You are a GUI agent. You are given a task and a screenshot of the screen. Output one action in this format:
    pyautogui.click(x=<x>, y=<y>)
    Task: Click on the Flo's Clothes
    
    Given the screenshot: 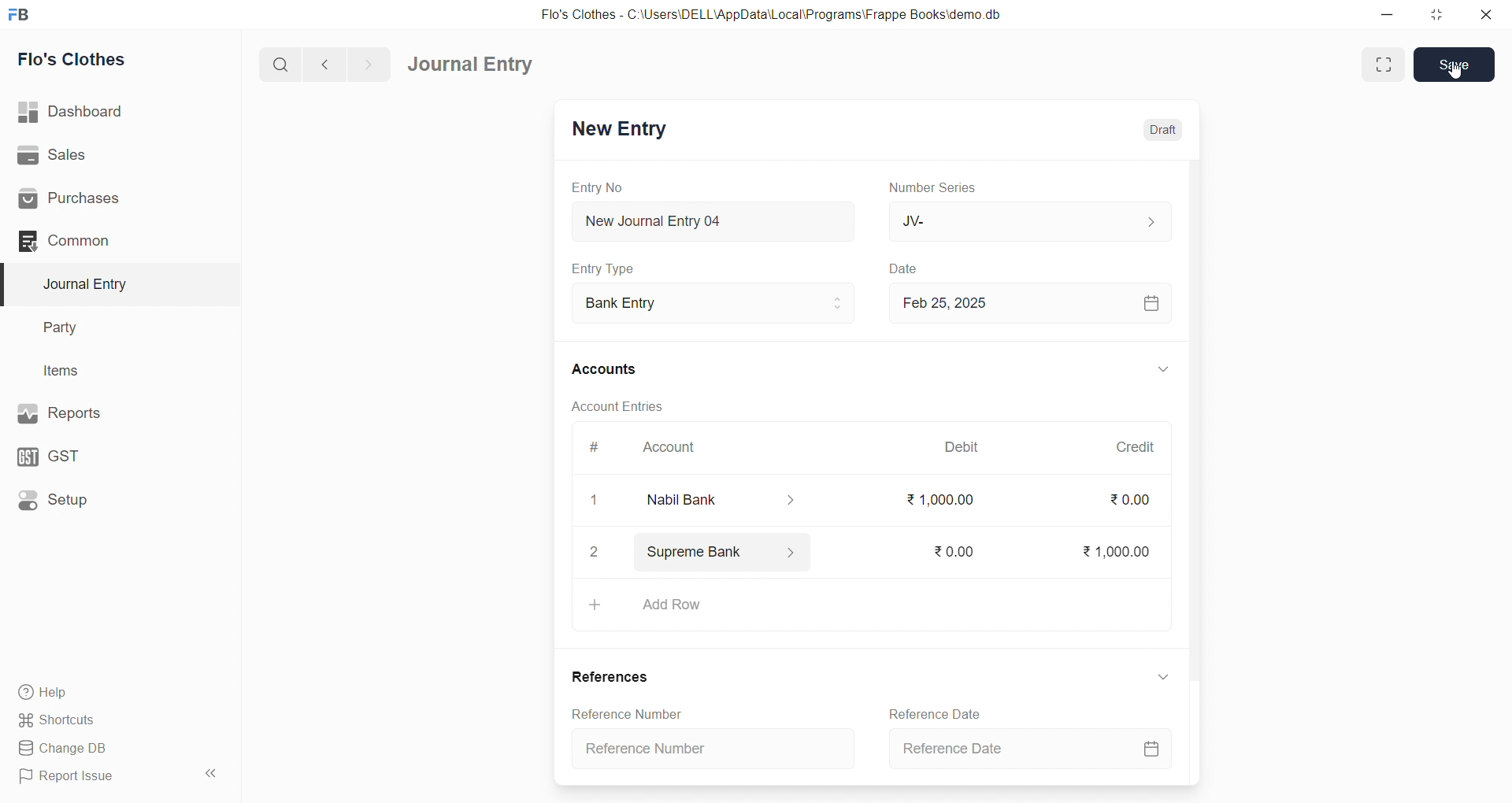 What is the action you would take?
    pyautogui.click(x=113, y=60)
    